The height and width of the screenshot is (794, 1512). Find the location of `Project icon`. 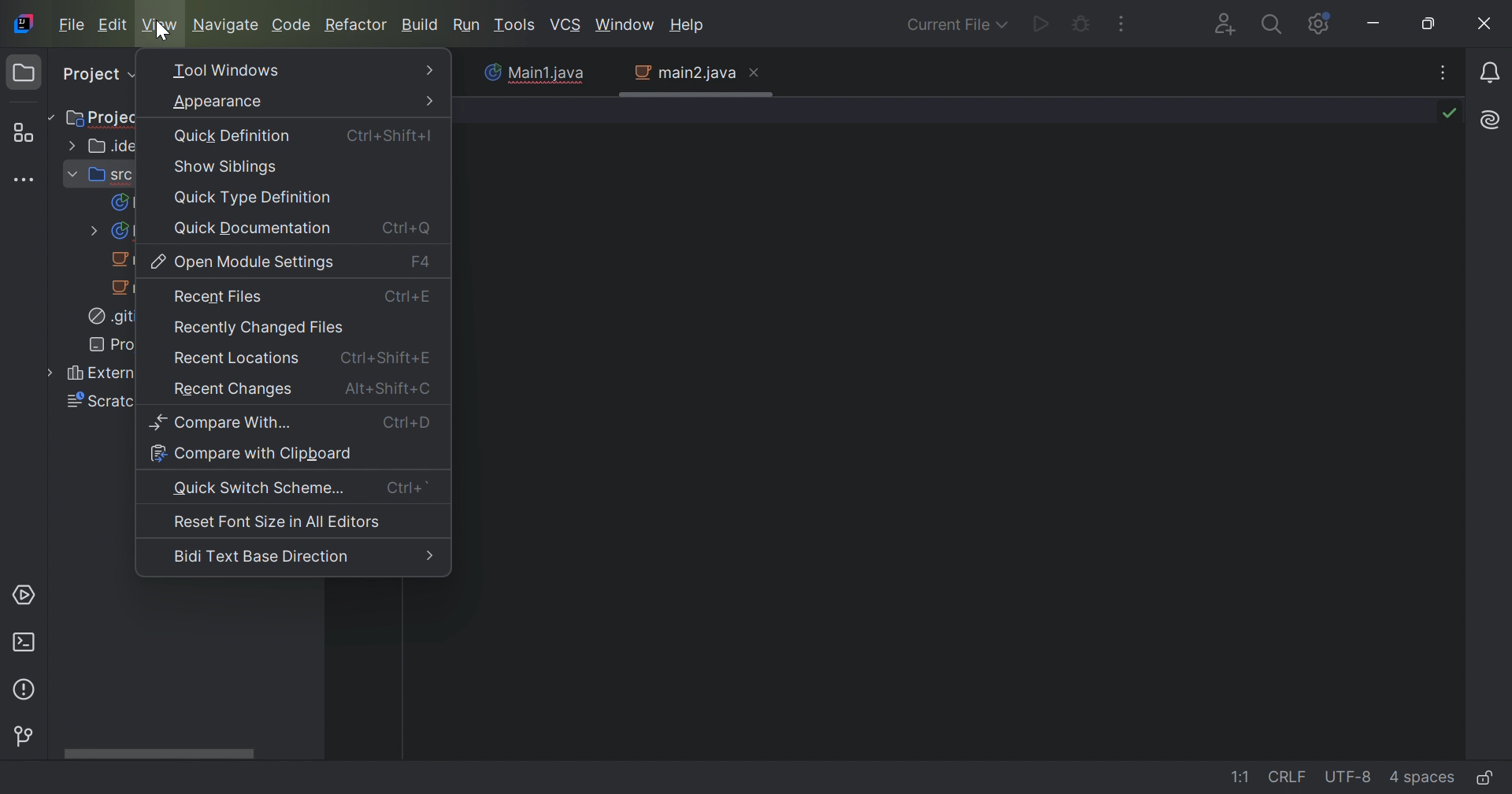

Project icon is located at coordinates (24, 72).